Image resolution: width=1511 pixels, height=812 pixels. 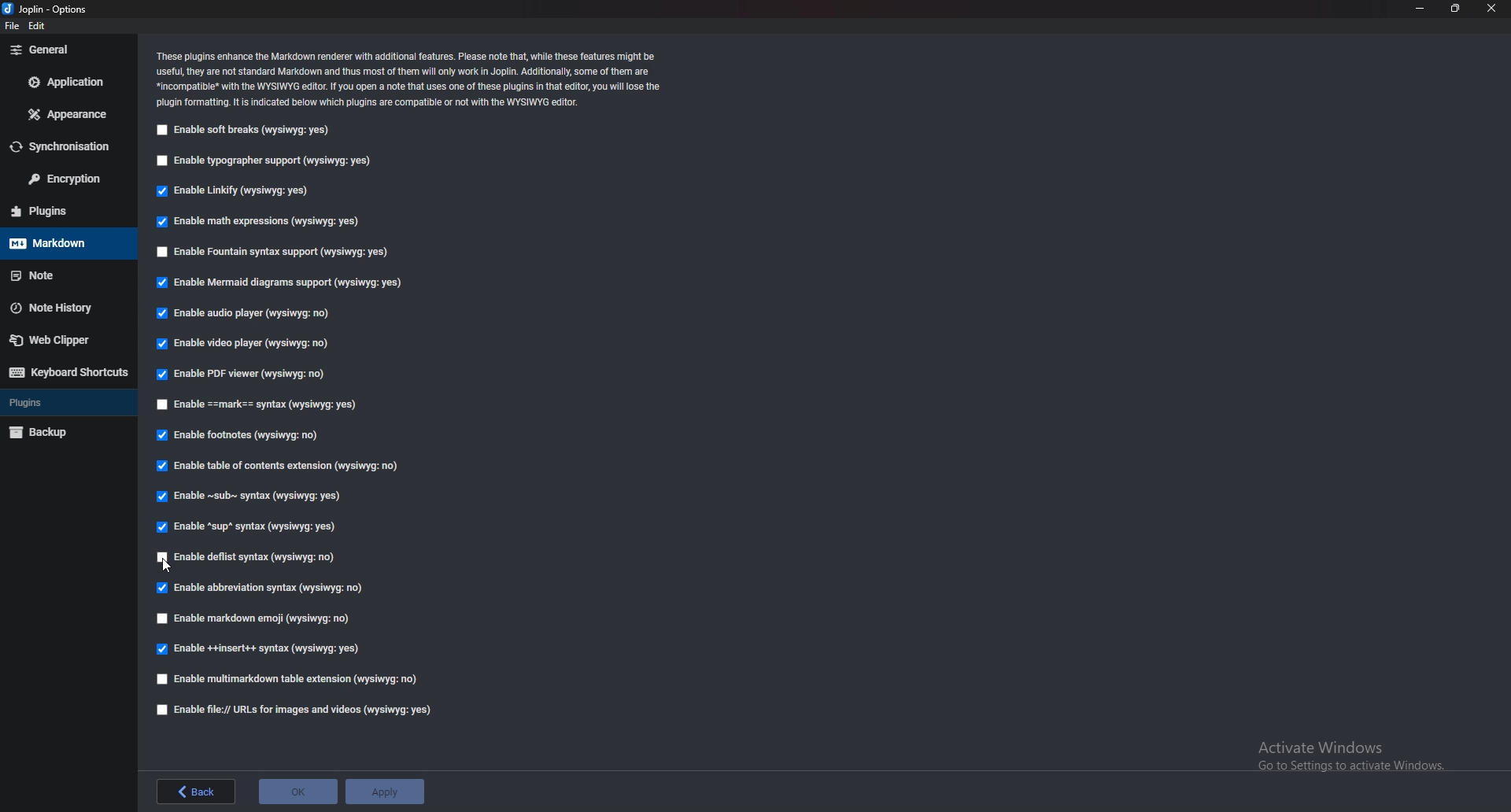 What do you see at coordinates (38, 28) in the screenshot?
I see `edit` at bounding box center [38, 28].